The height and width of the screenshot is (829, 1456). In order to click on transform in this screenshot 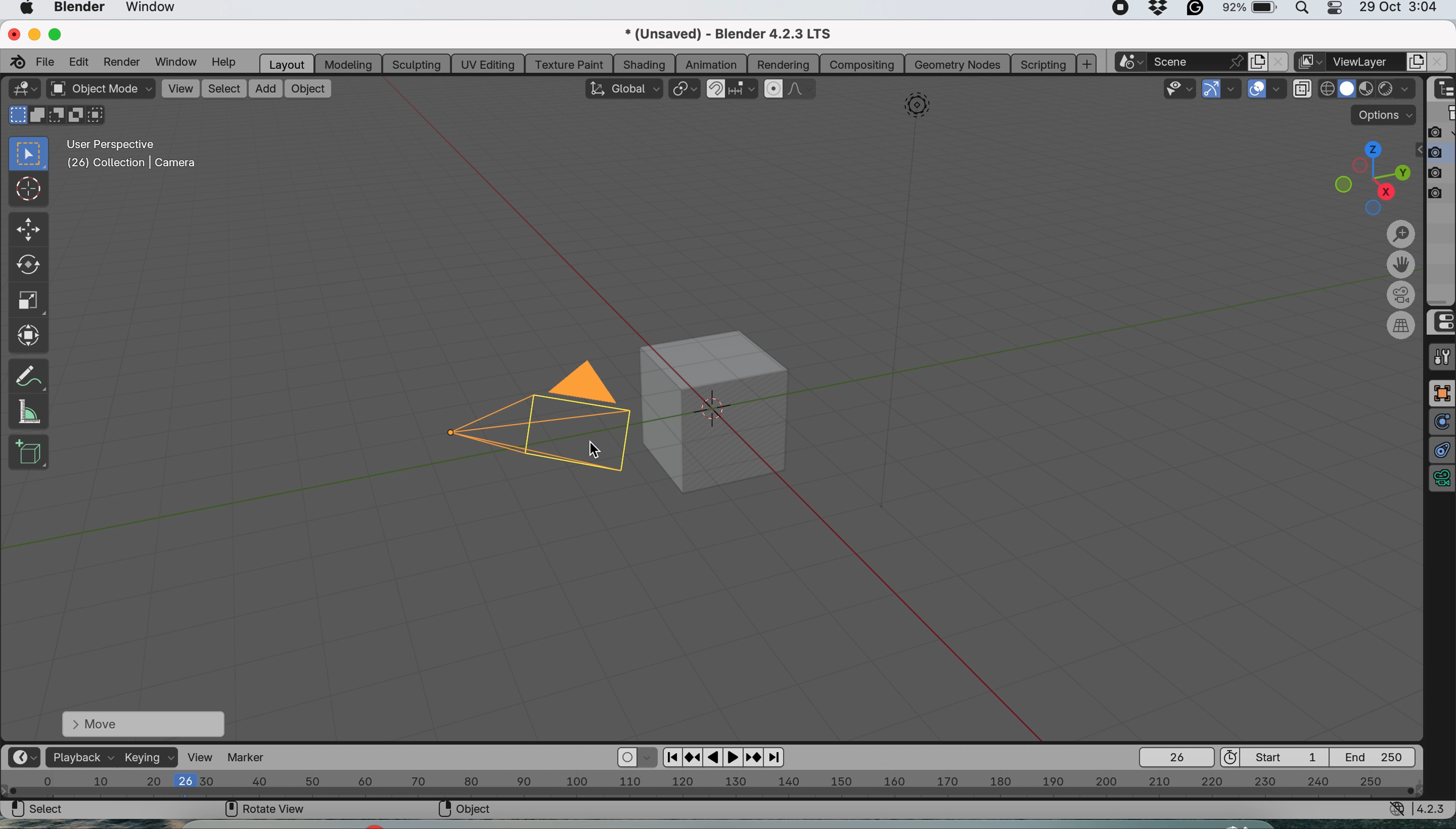, I will do `click(31, 335)`.